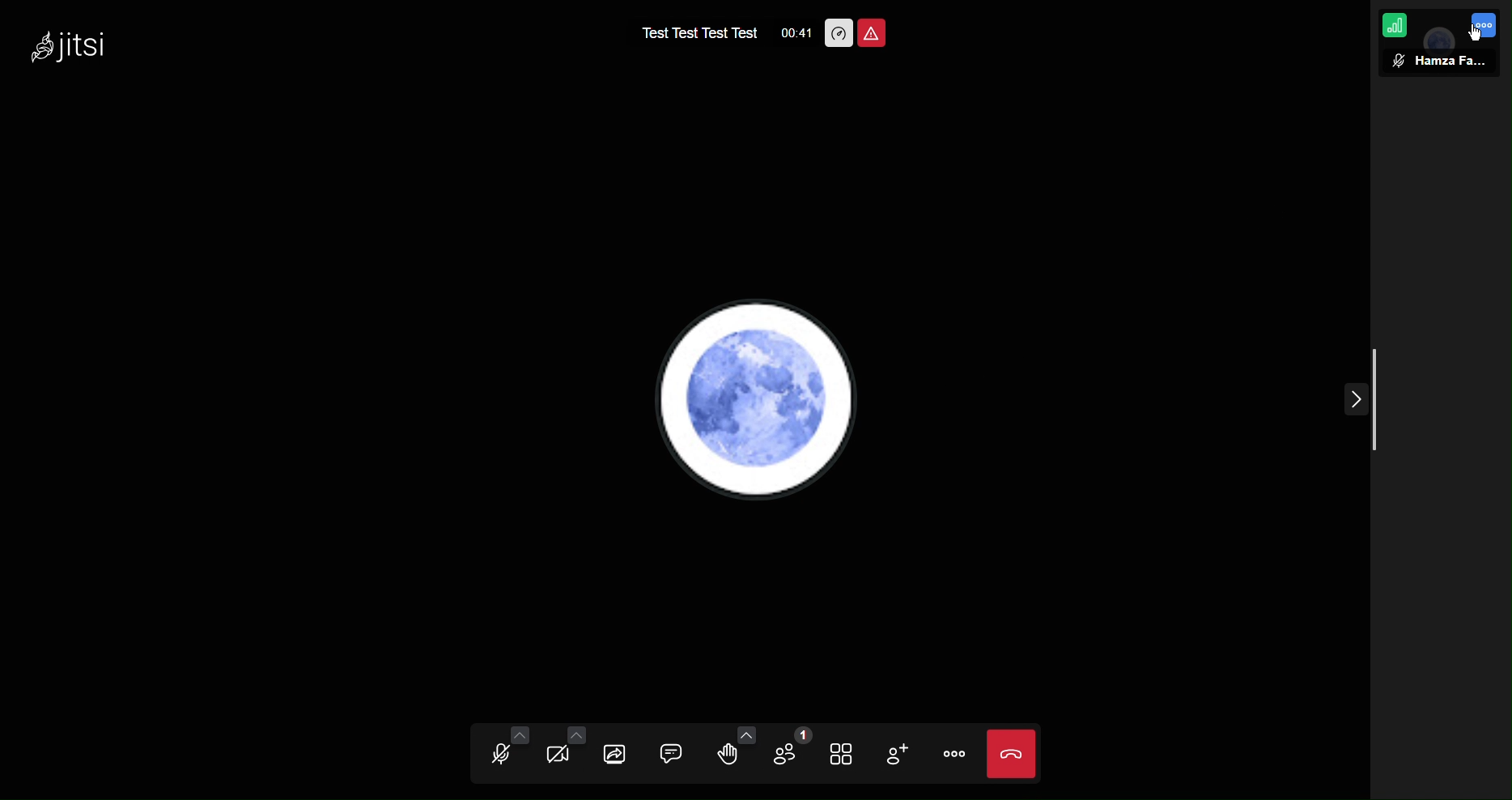 Image resolution: width=1512 pixels, height=800 pixels. What do you see at coordinates (668, 755) in the screenshot?
I see `Chat` at bounding box center [668, 755].